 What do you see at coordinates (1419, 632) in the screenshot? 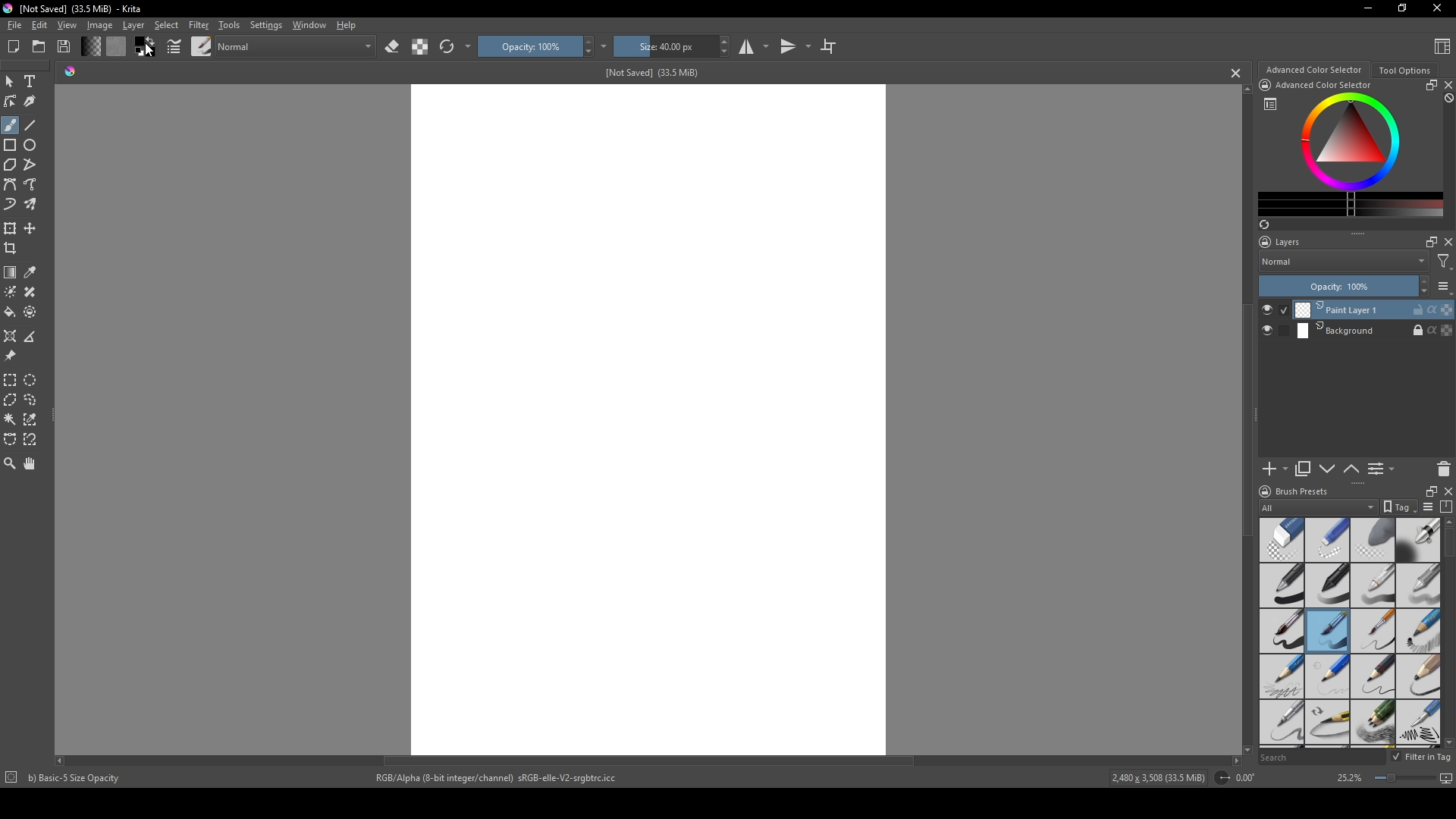
I see `pencil` at bounding box center [1419, 632].